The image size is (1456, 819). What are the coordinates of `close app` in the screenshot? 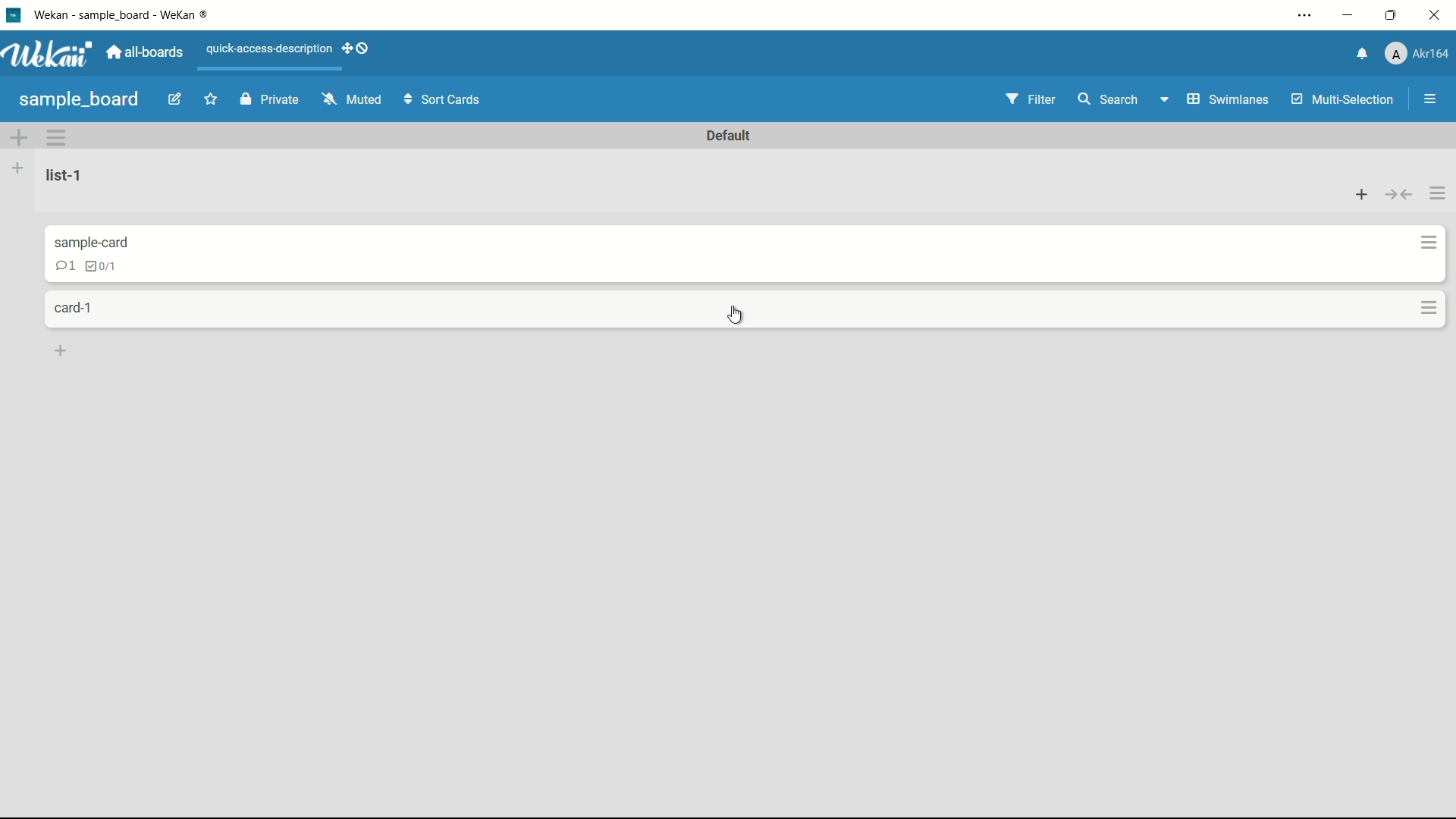 It's located at (1435, 17).